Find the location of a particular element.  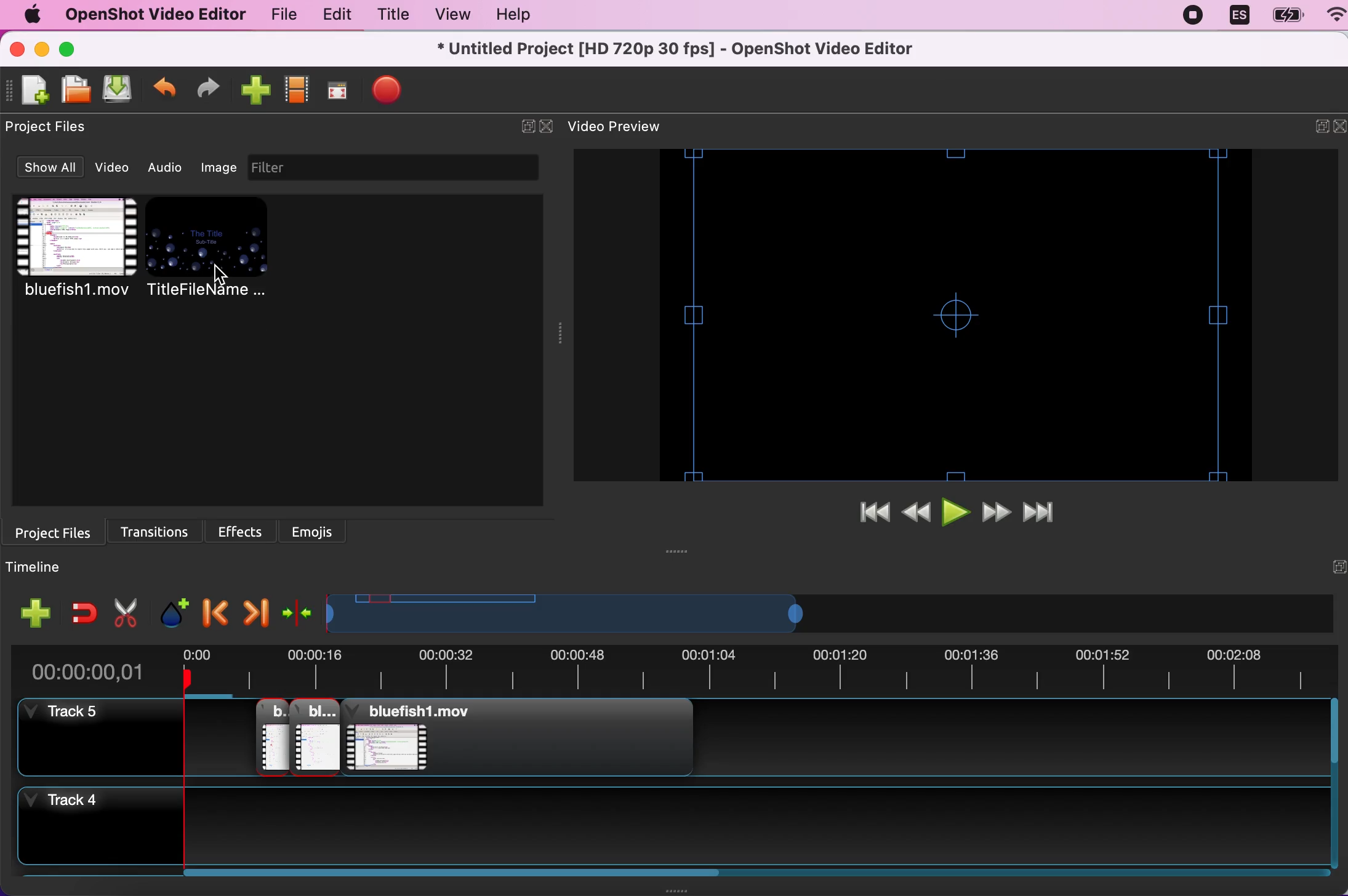

cursor on titlefilename is located at coordinates (227, 274).